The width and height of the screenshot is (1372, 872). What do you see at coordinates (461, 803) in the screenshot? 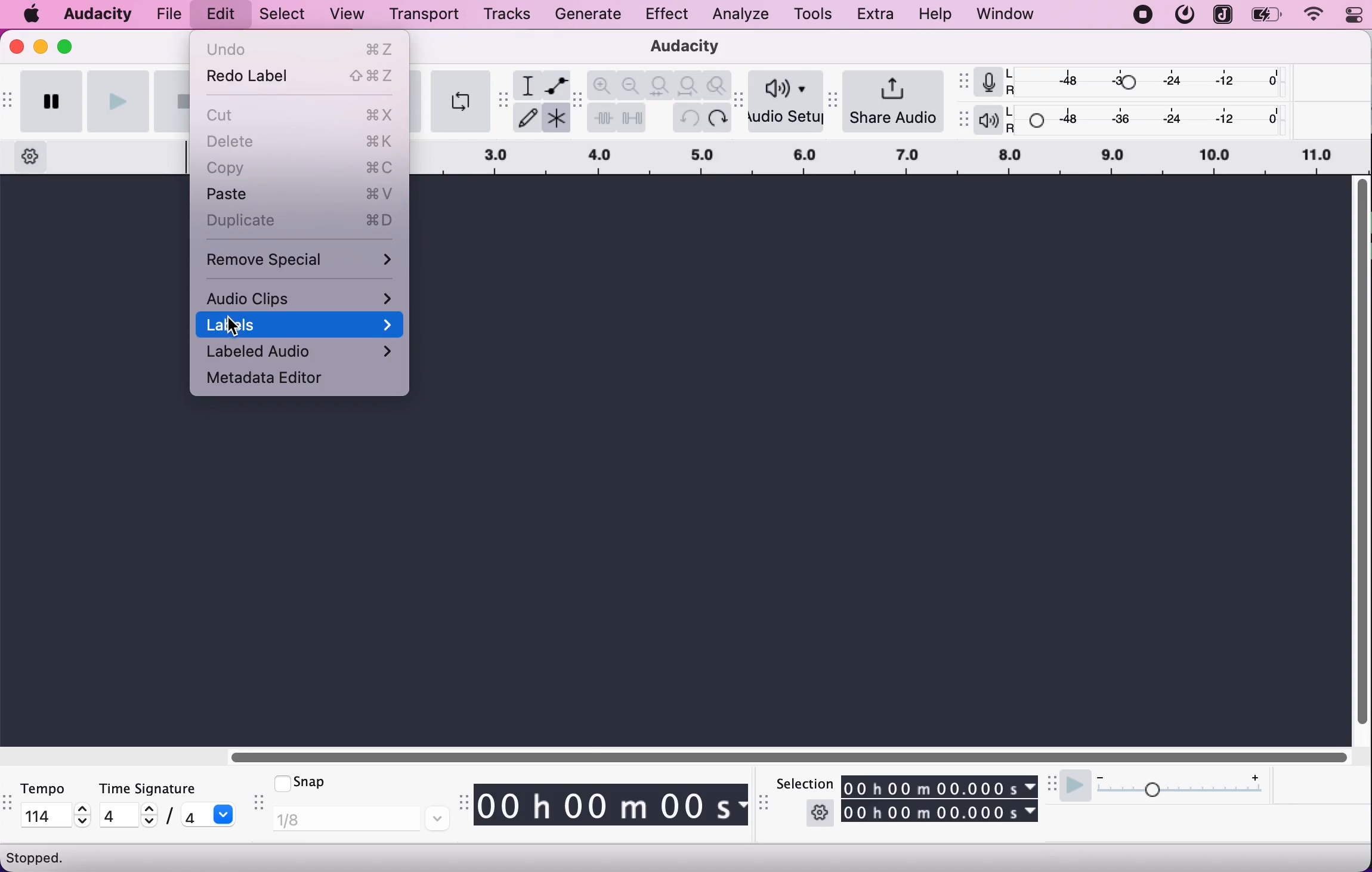
I see `audacity time toolbar` at bounding box center [461, 803].